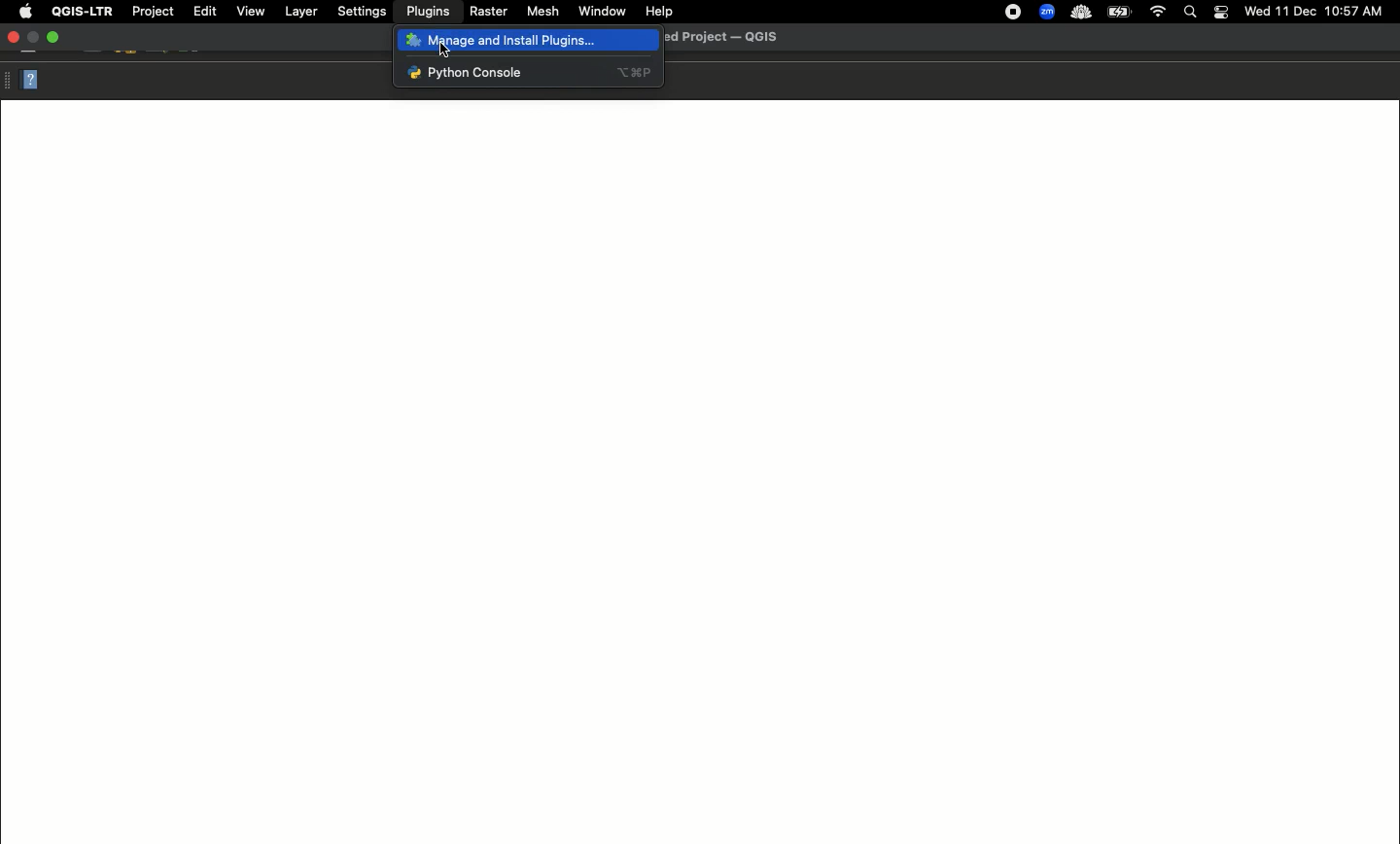 This screenshot has height=844, width=1400. Describe the element at coordinates (660, 11) in the screenshot. I see `Help` at that location.